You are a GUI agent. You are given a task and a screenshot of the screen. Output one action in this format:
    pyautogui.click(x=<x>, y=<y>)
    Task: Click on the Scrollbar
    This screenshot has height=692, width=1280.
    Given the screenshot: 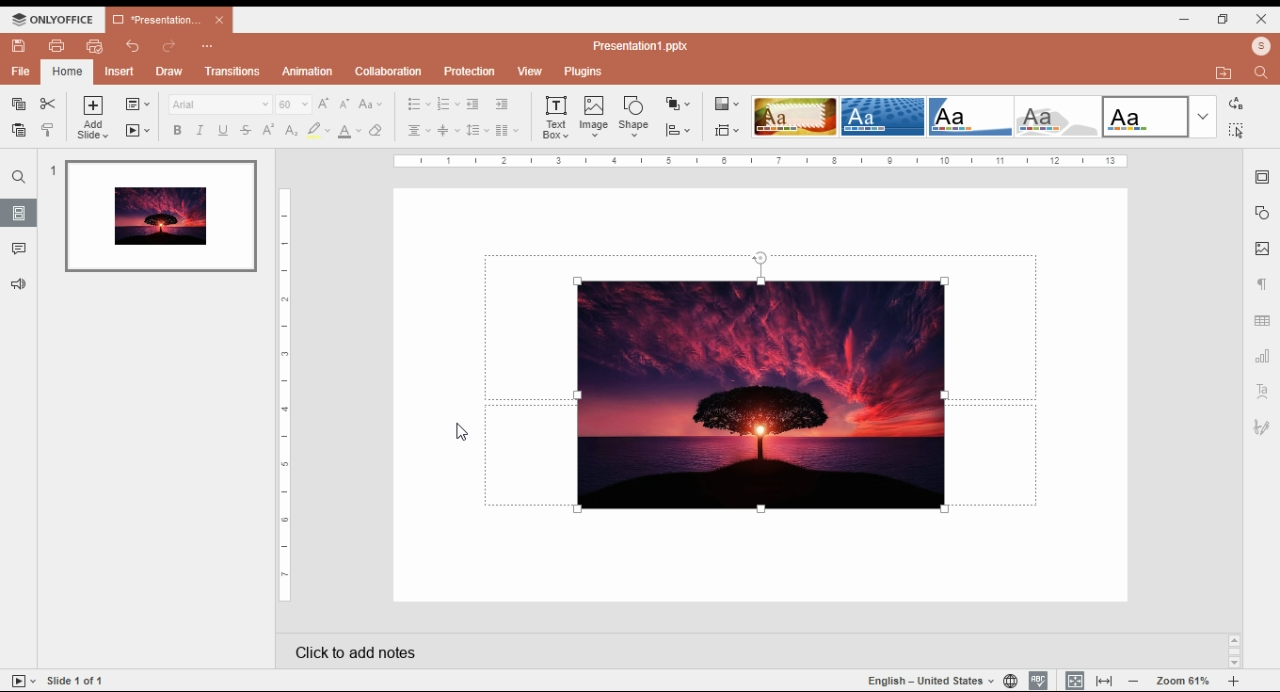 What is the action you would take?
    pyautogui.click(x=1232, y=651)
    